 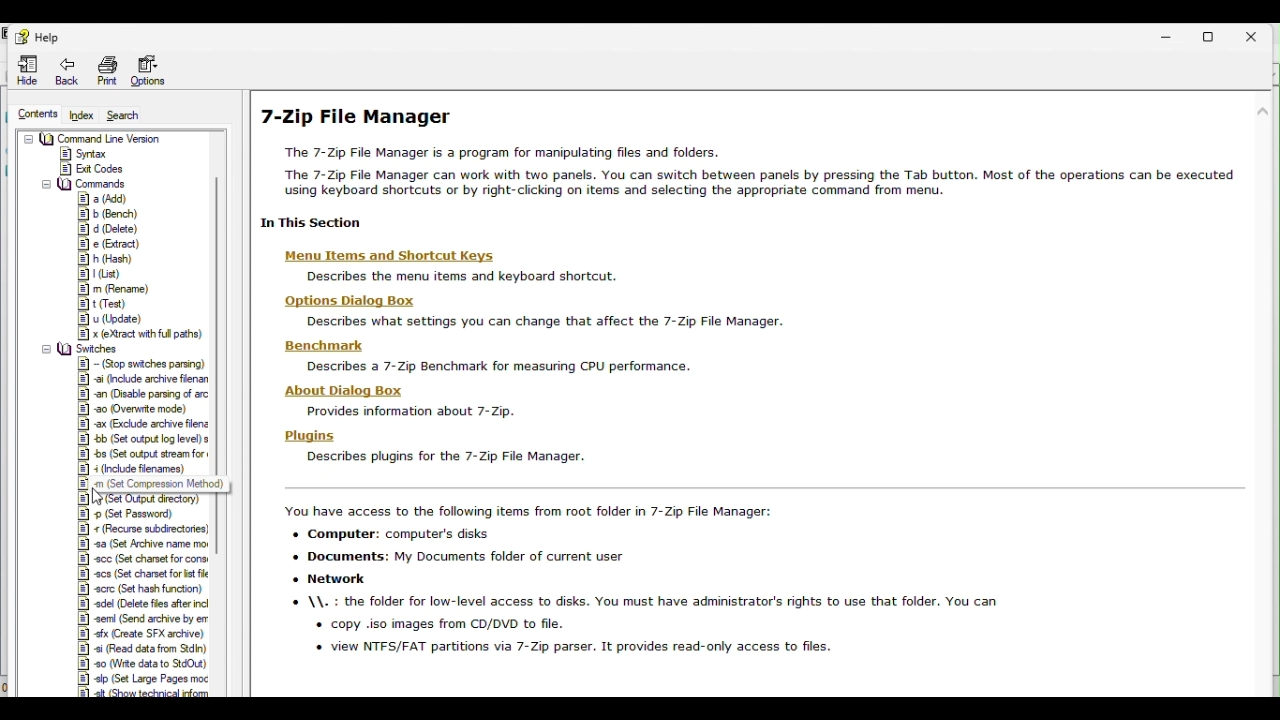 What do you see at coordinates (146, 499) in the screenshot?
I see `set output directory` at bounding box center [146, 499].